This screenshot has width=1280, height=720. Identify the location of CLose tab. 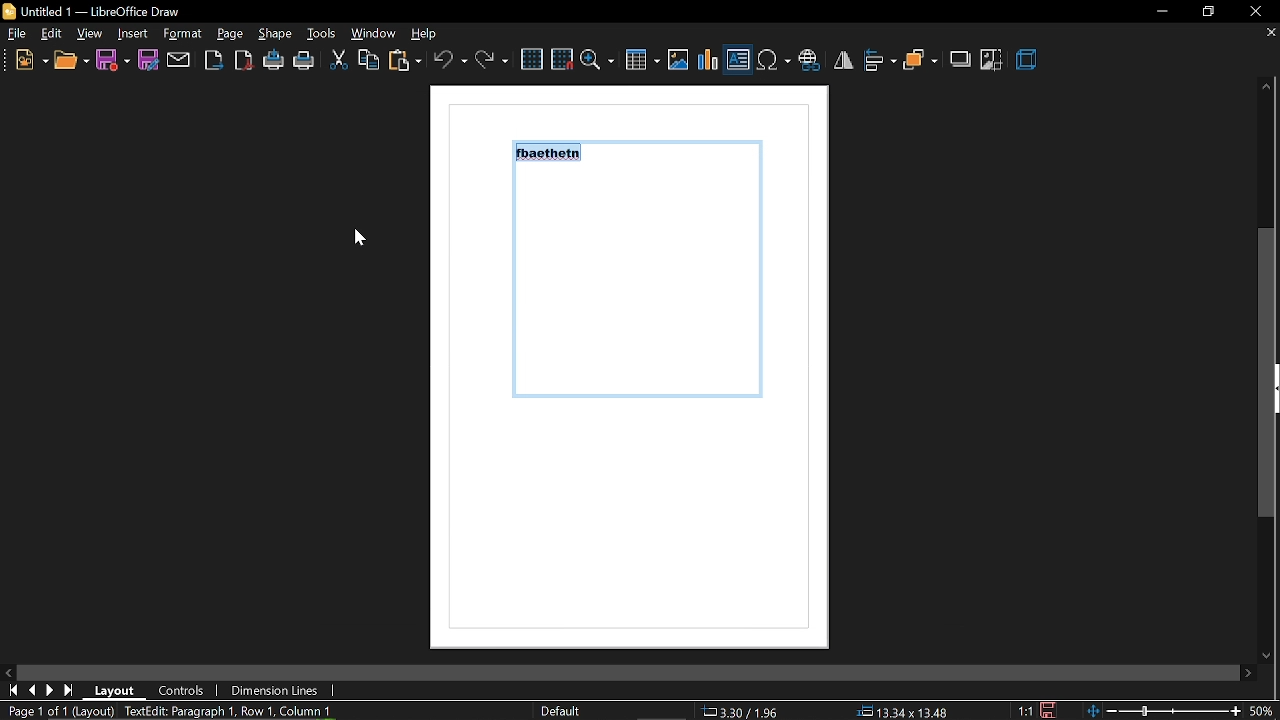
(1270, 33).